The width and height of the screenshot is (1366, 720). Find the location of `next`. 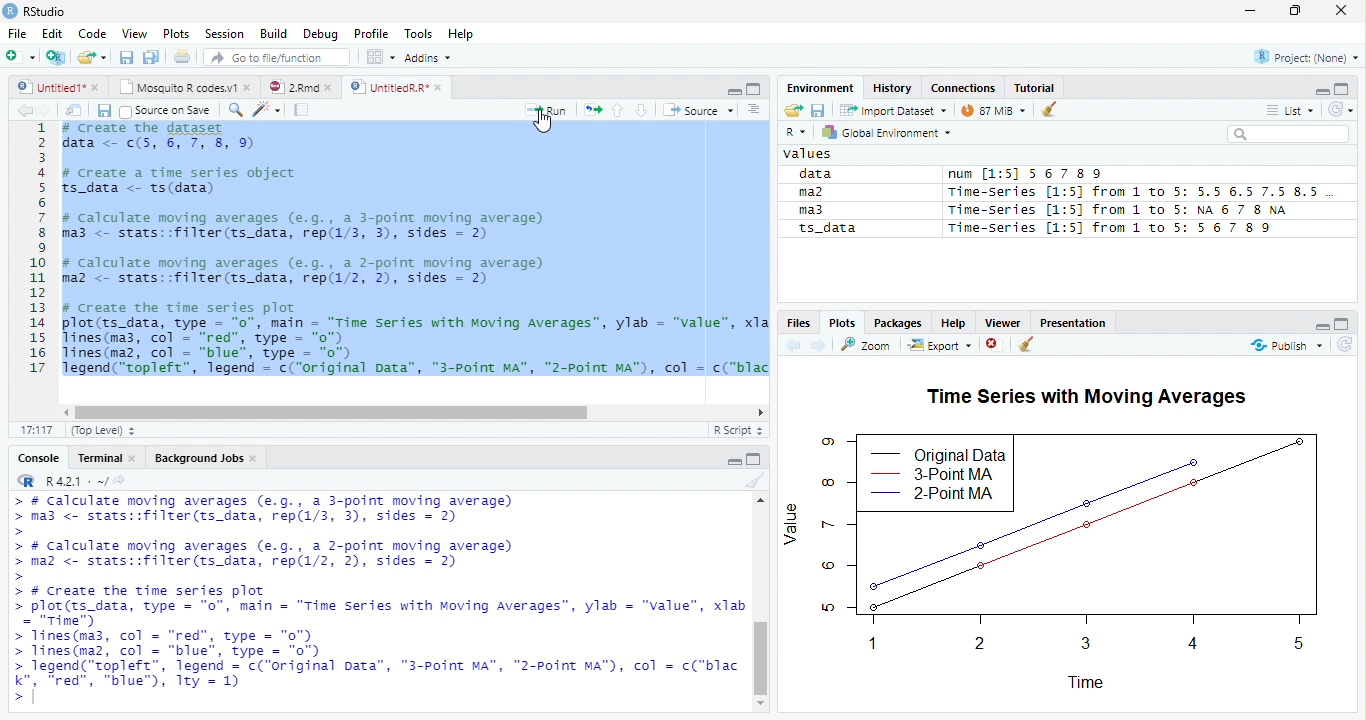

next is located at coordinates (48, 111).